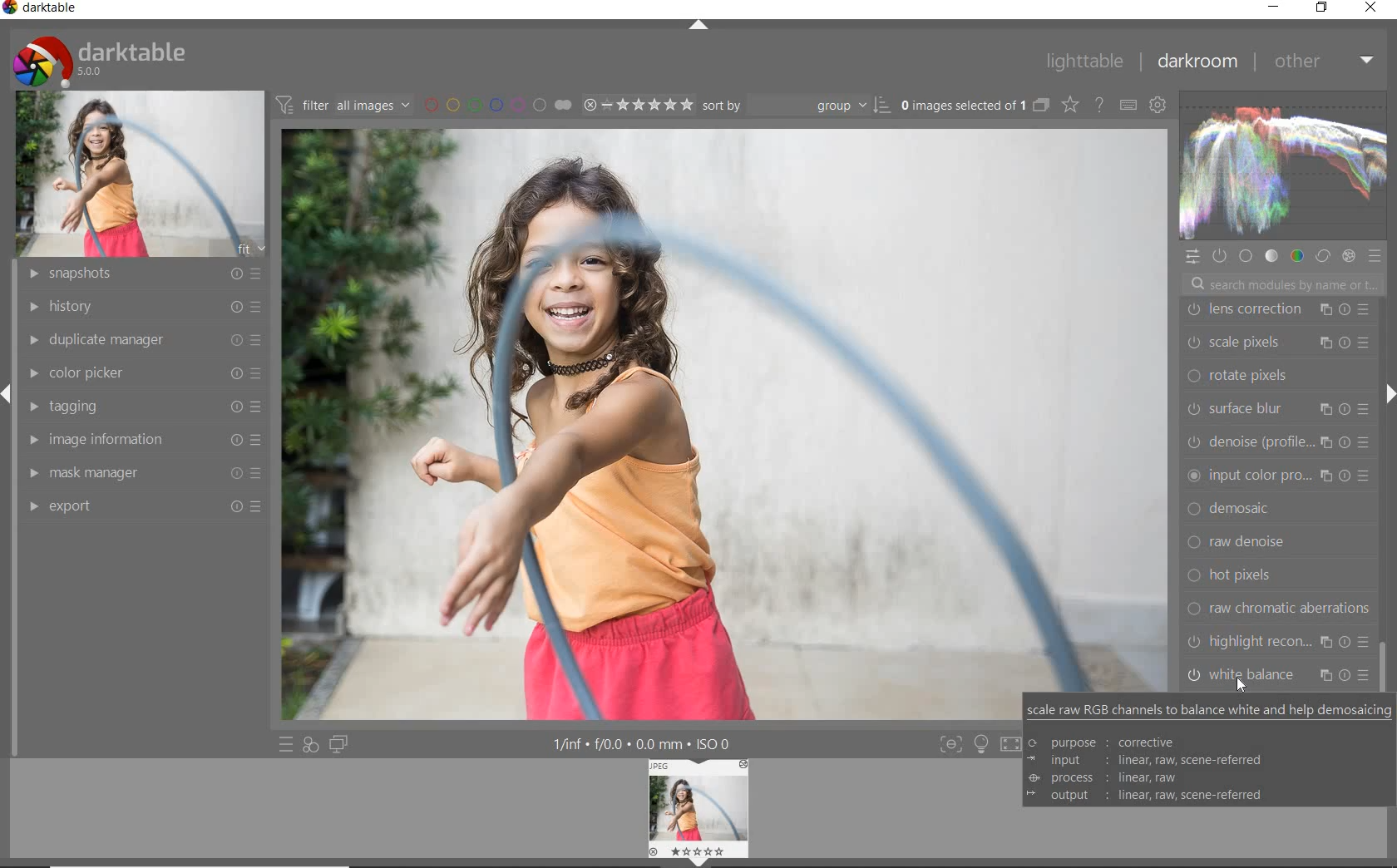  What do you see at coordinates (142, 469) in the screenshot?
I see `mask manager` at bounding box center [142, 469].